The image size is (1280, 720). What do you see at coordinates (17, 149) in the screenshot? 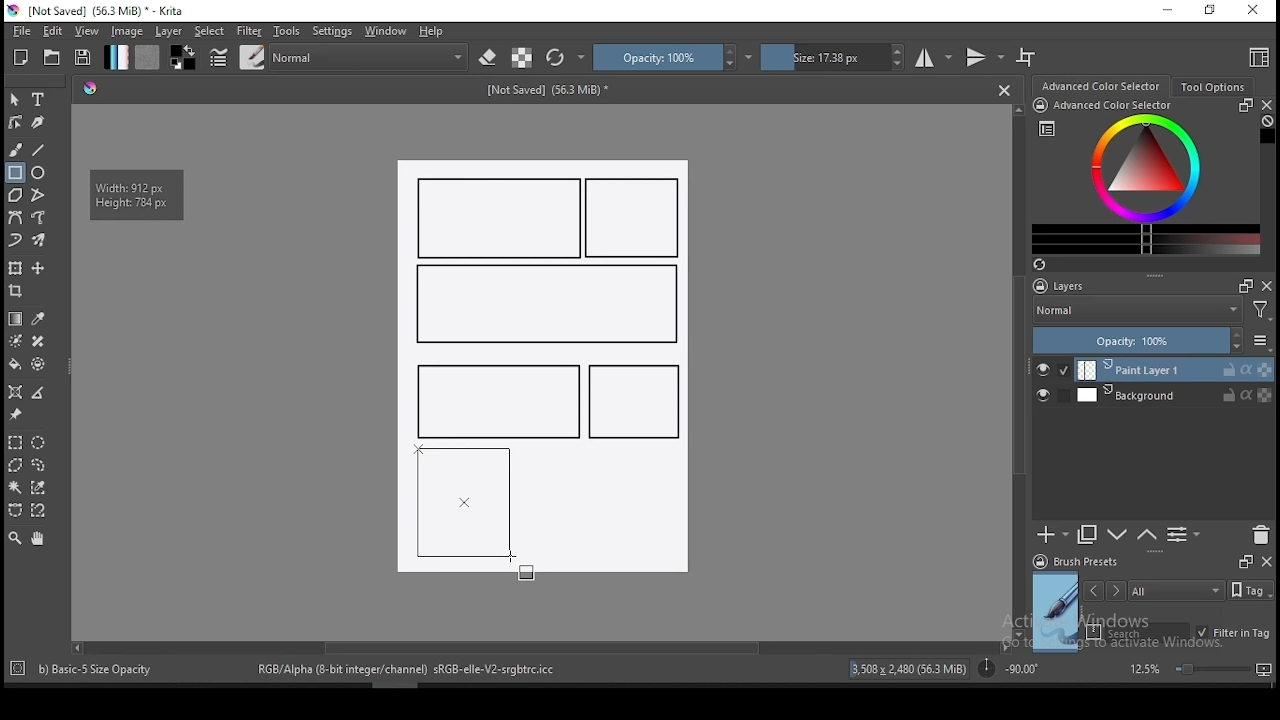
I see `brush tool` at bounding box center [17, 149].